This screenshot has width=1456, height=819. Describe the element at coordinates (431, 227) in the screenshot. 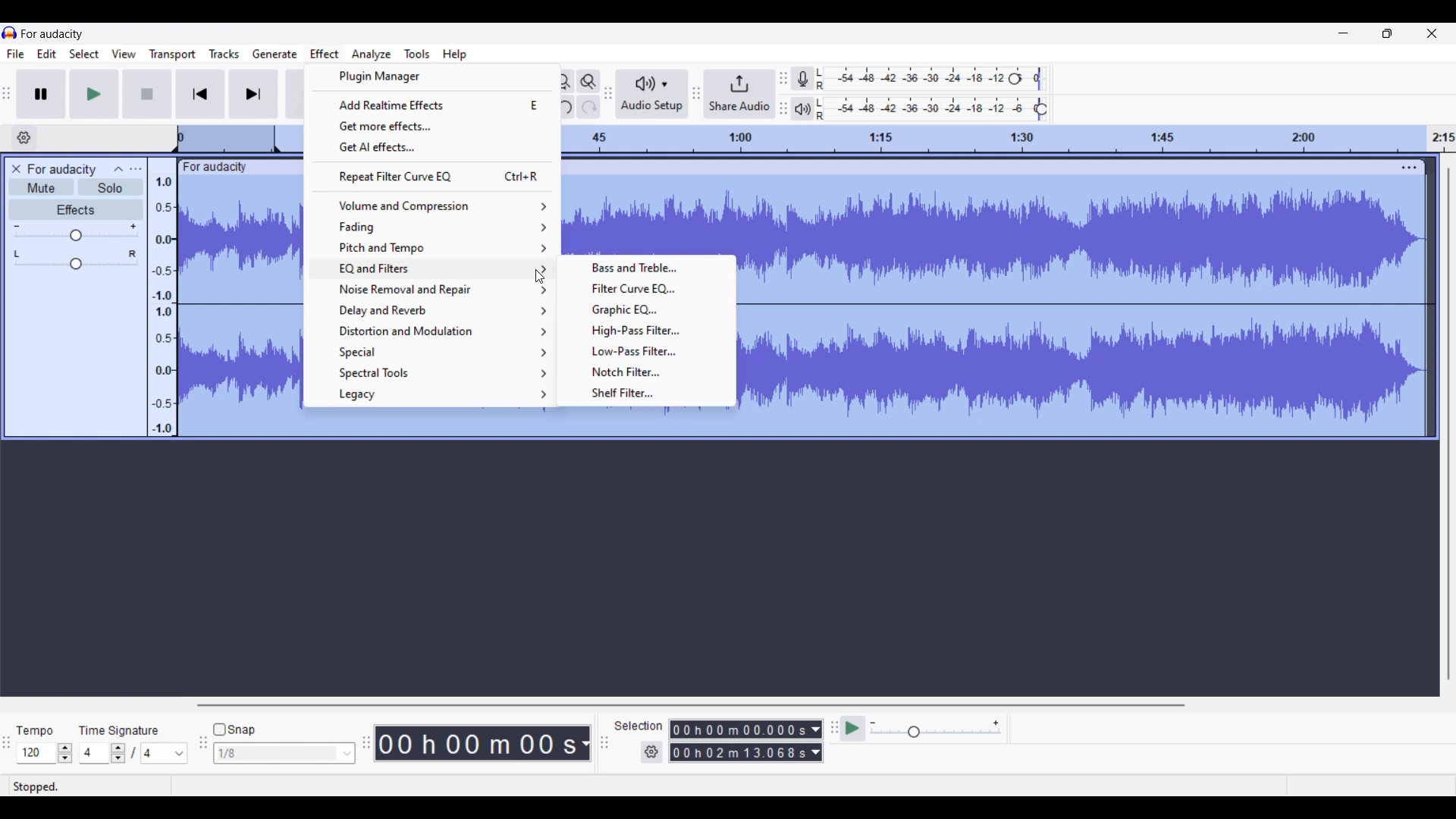

I see `Fading options` at that location.